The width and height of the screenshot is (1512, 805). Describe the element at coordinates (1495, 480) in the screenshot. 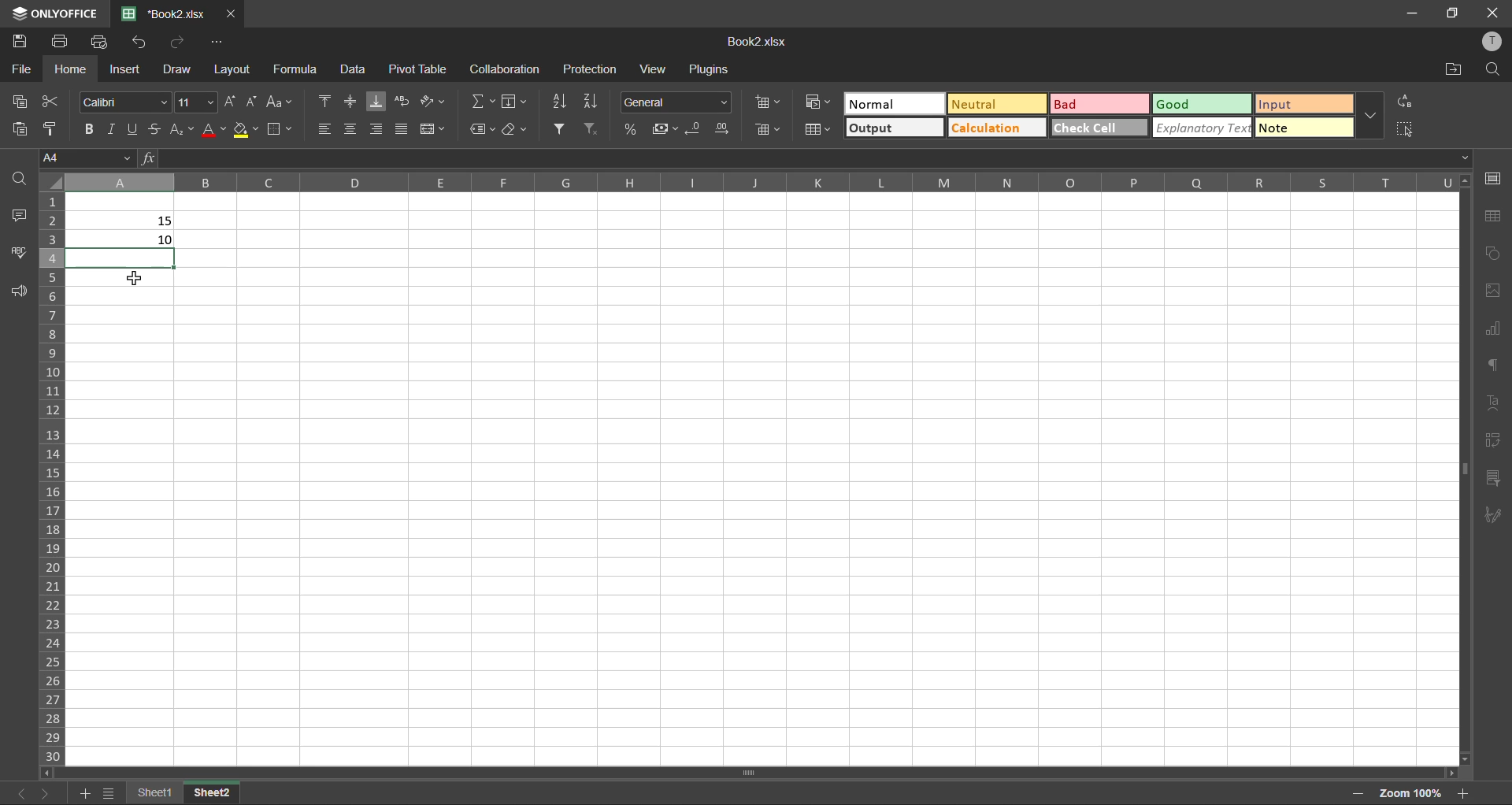

I see `slicer` at that location.